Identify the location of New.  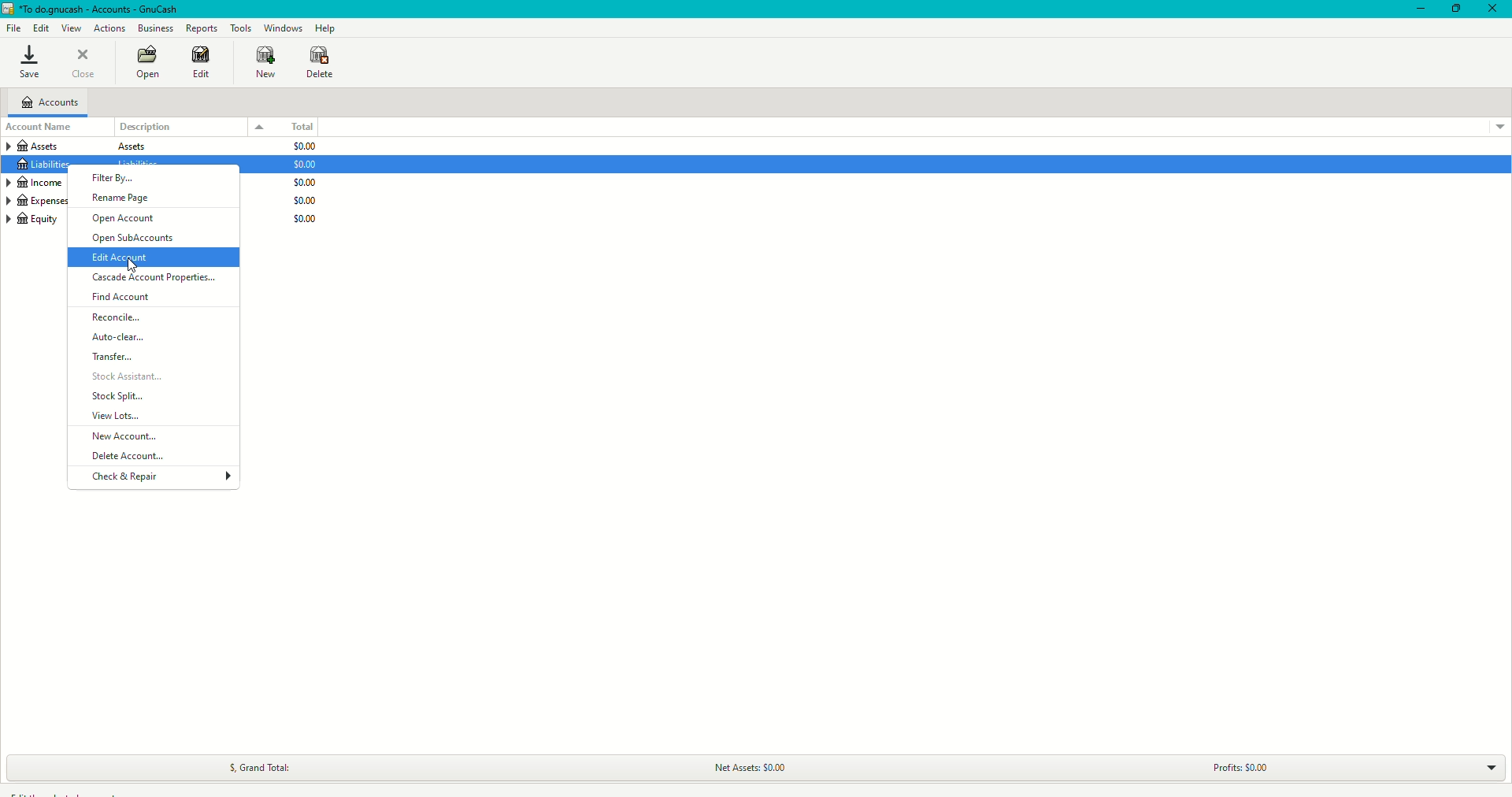
(263, 64).